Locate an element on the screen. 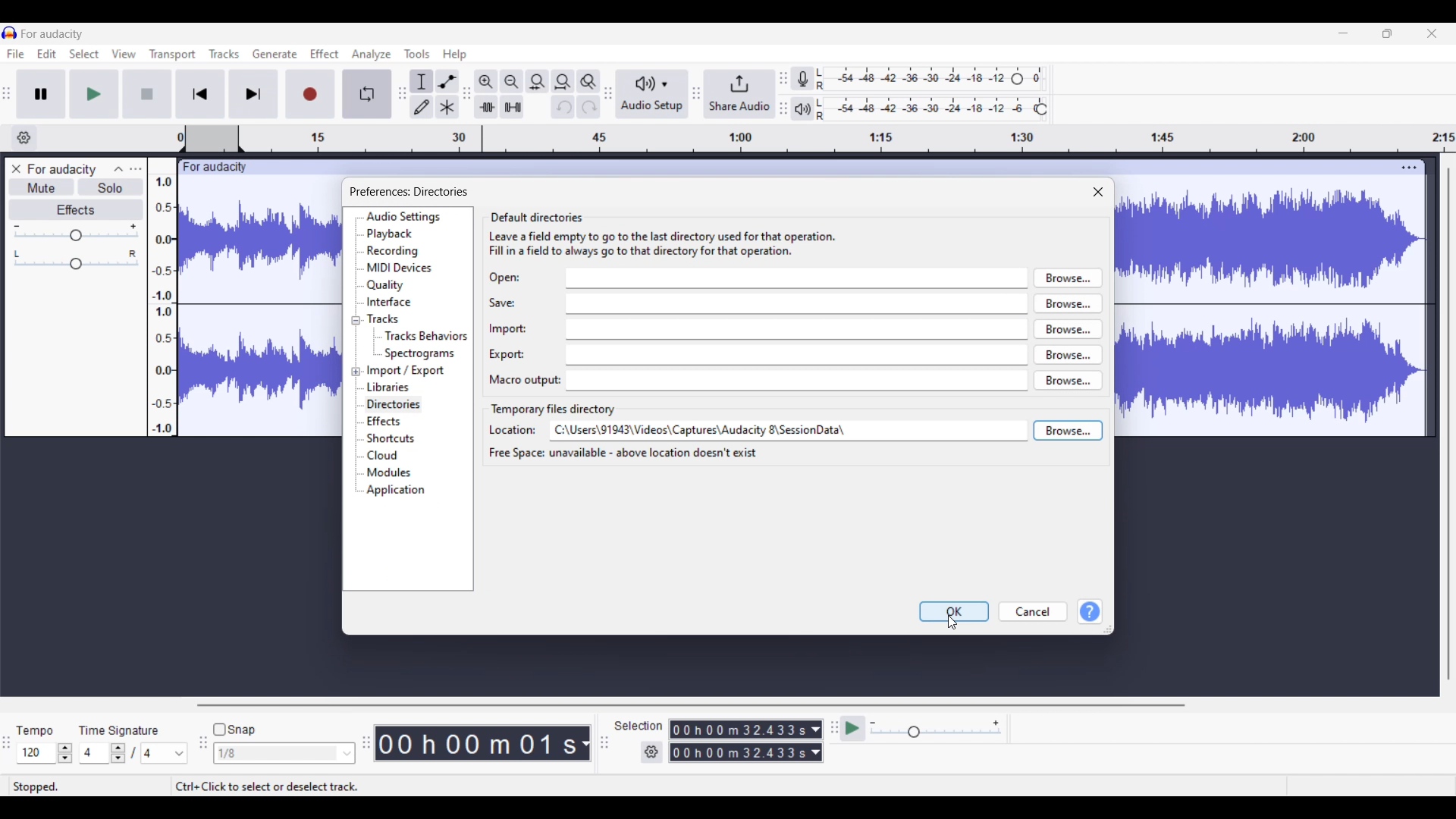  Leave a field empty to go to the last directory used for that operation.
Fill in a field to always go to that directory for that operation. is located at coordinates (663, 245).